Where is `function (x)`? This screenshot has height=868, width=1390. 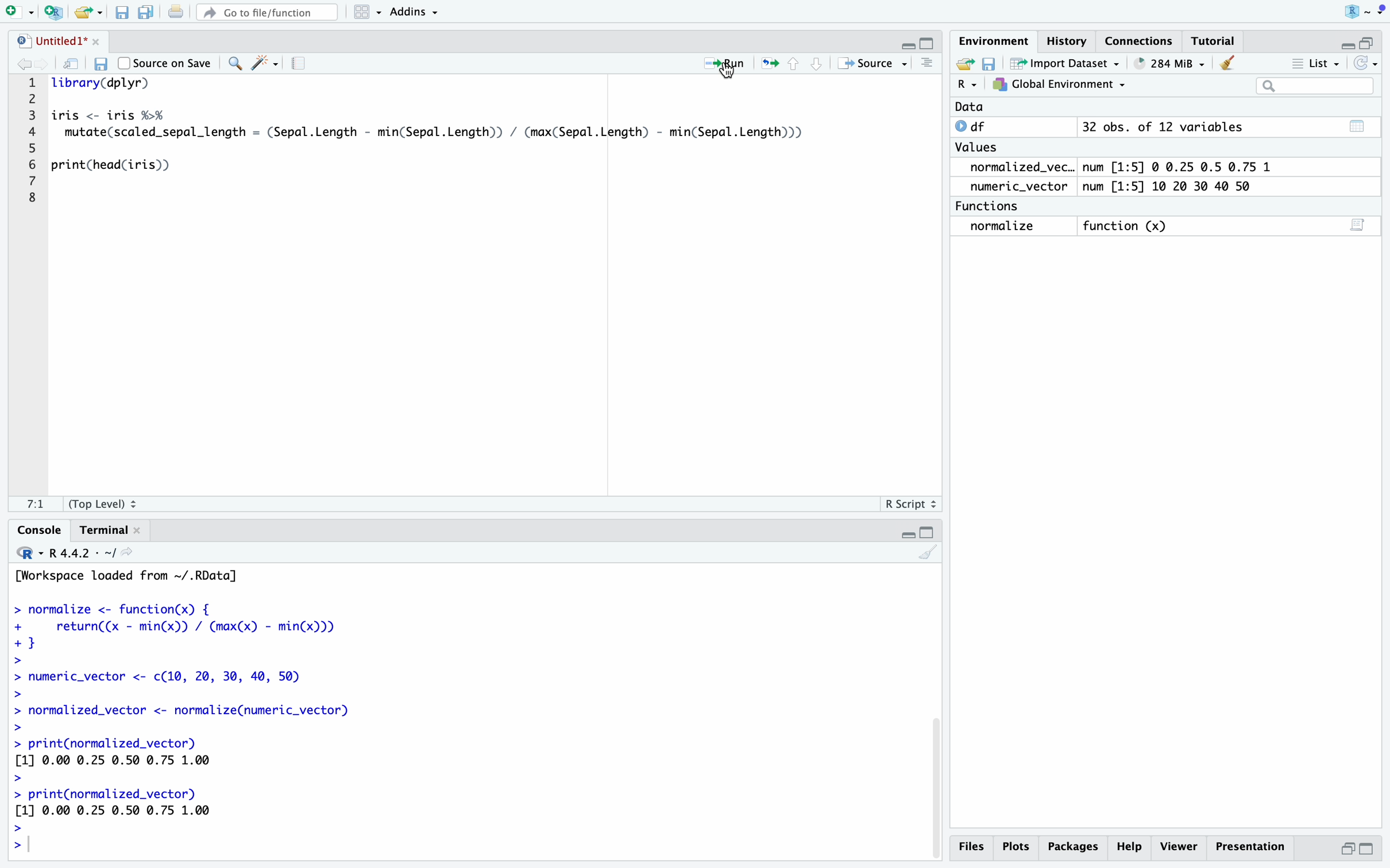 function (x) is located at coordinates (1129, 227).